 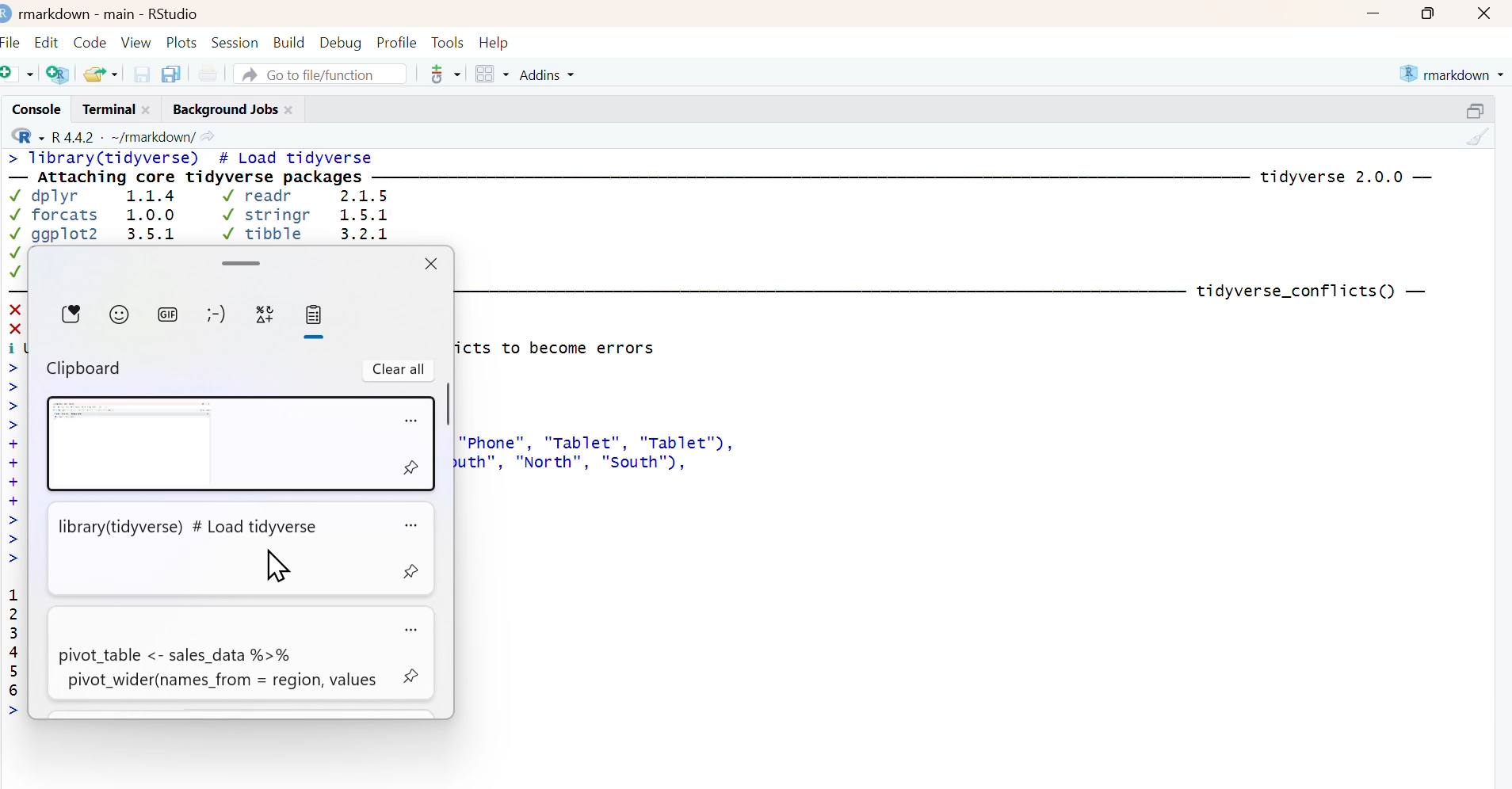 I want to click on Print current file, so click(x=208, y=73).